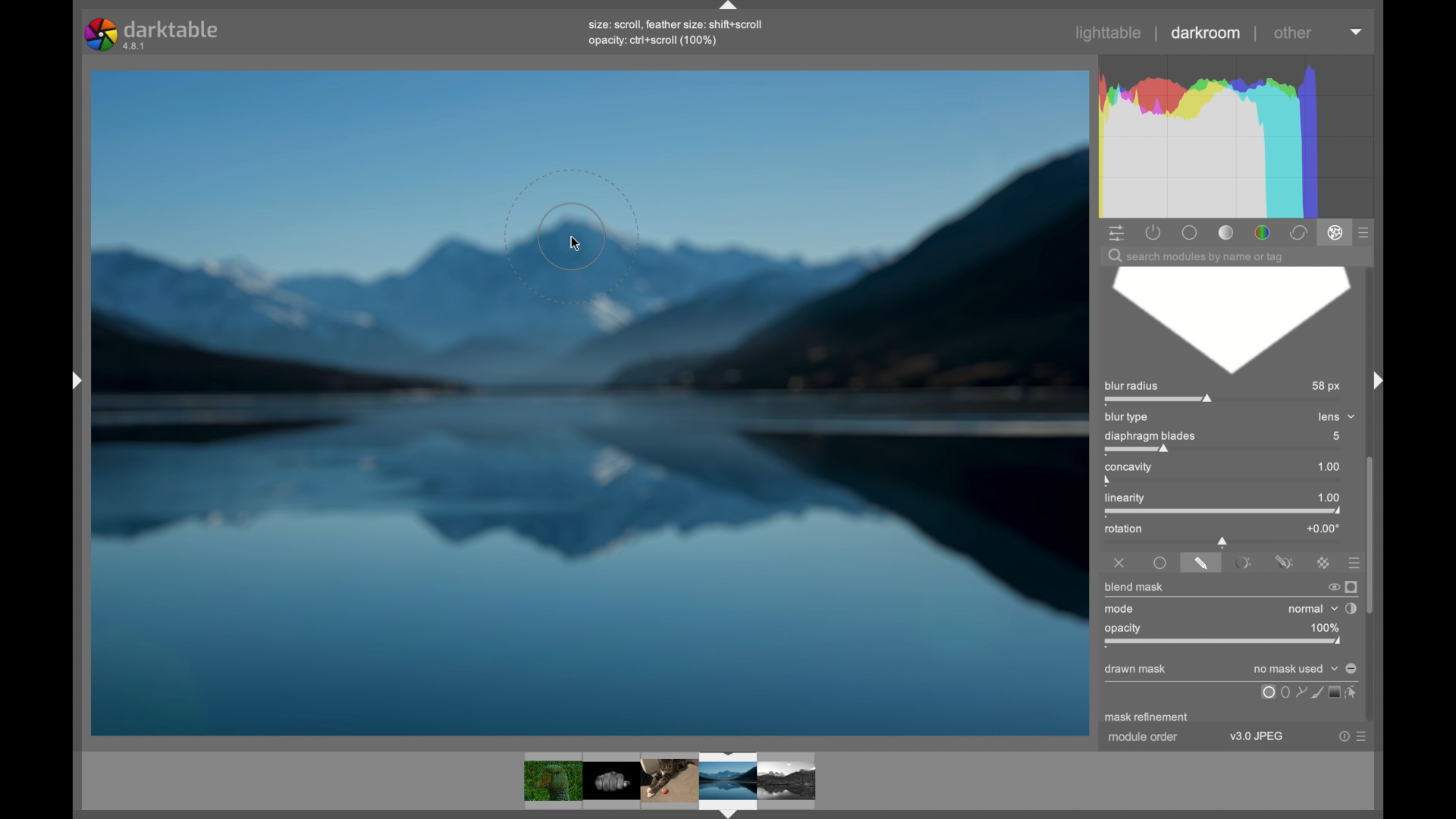 Image resolution: width=1456 pixels, height=819 pixels. Describe the element at coordinates (1119, 609) in the screenshot. I see `mode` at that location.